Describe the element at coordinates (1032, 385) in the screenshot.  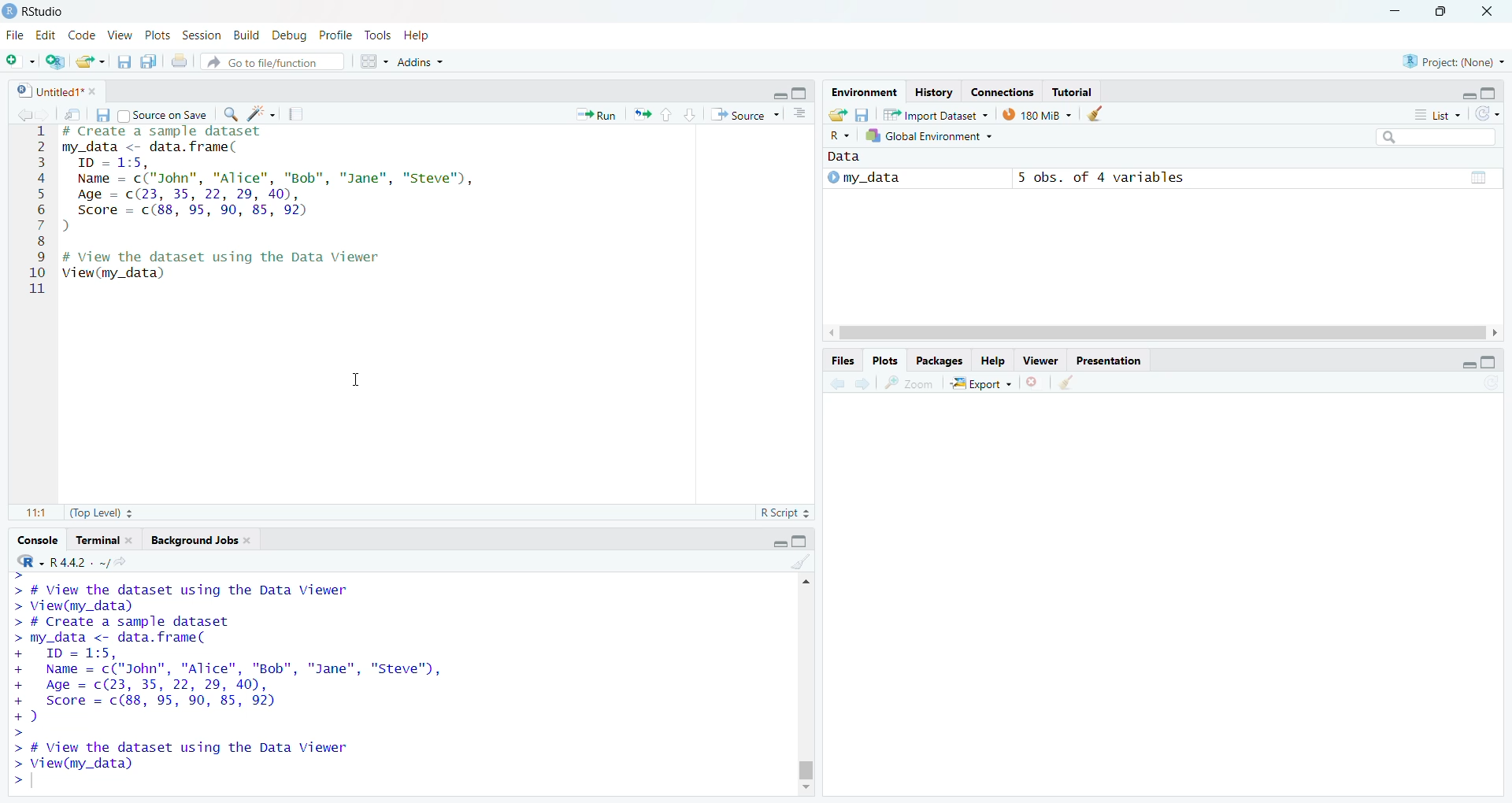
I see `Close file` at that location.